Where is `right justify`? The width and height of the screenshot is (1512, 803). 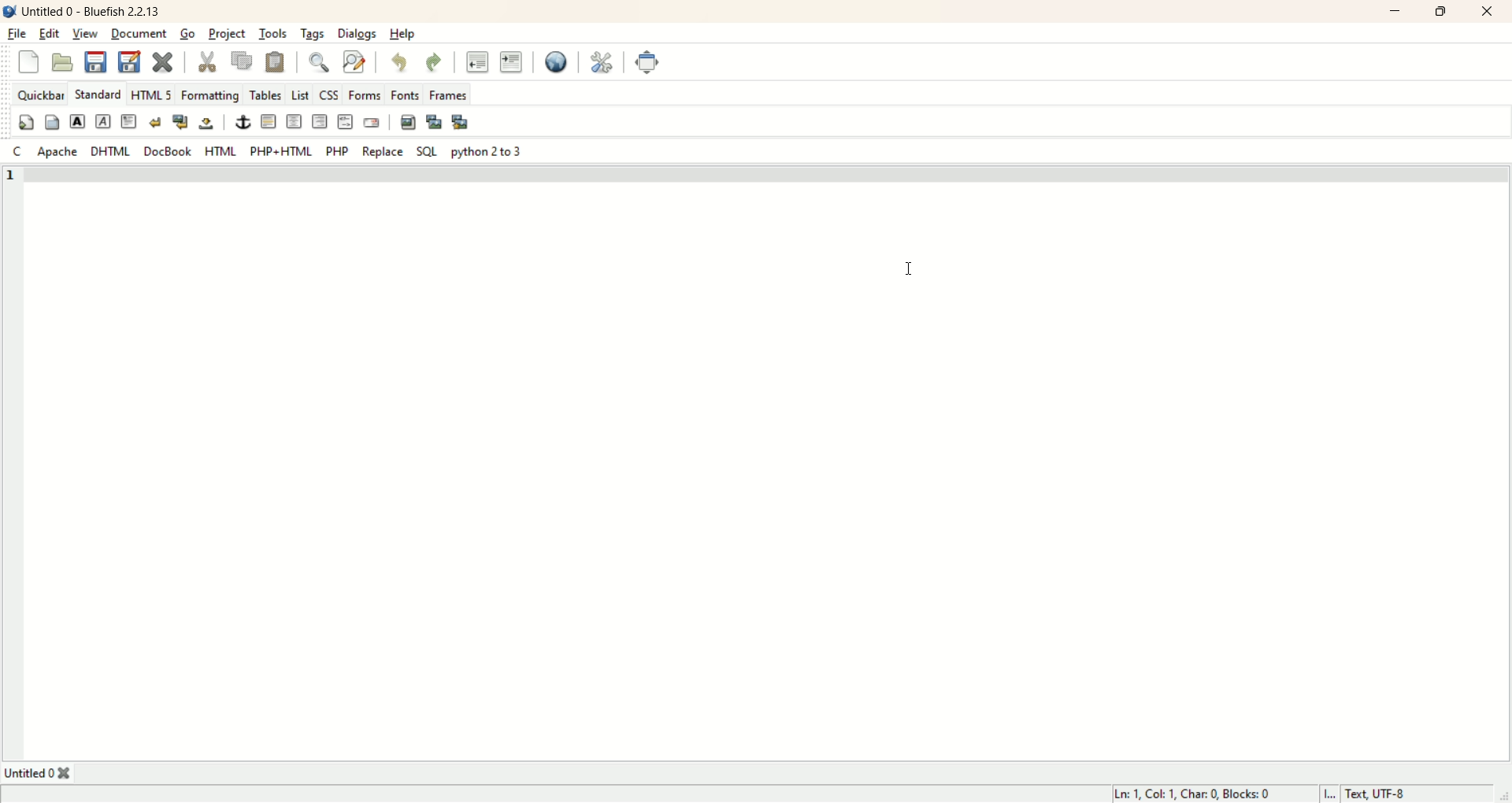
right justify is located at coordinates (320, 121).